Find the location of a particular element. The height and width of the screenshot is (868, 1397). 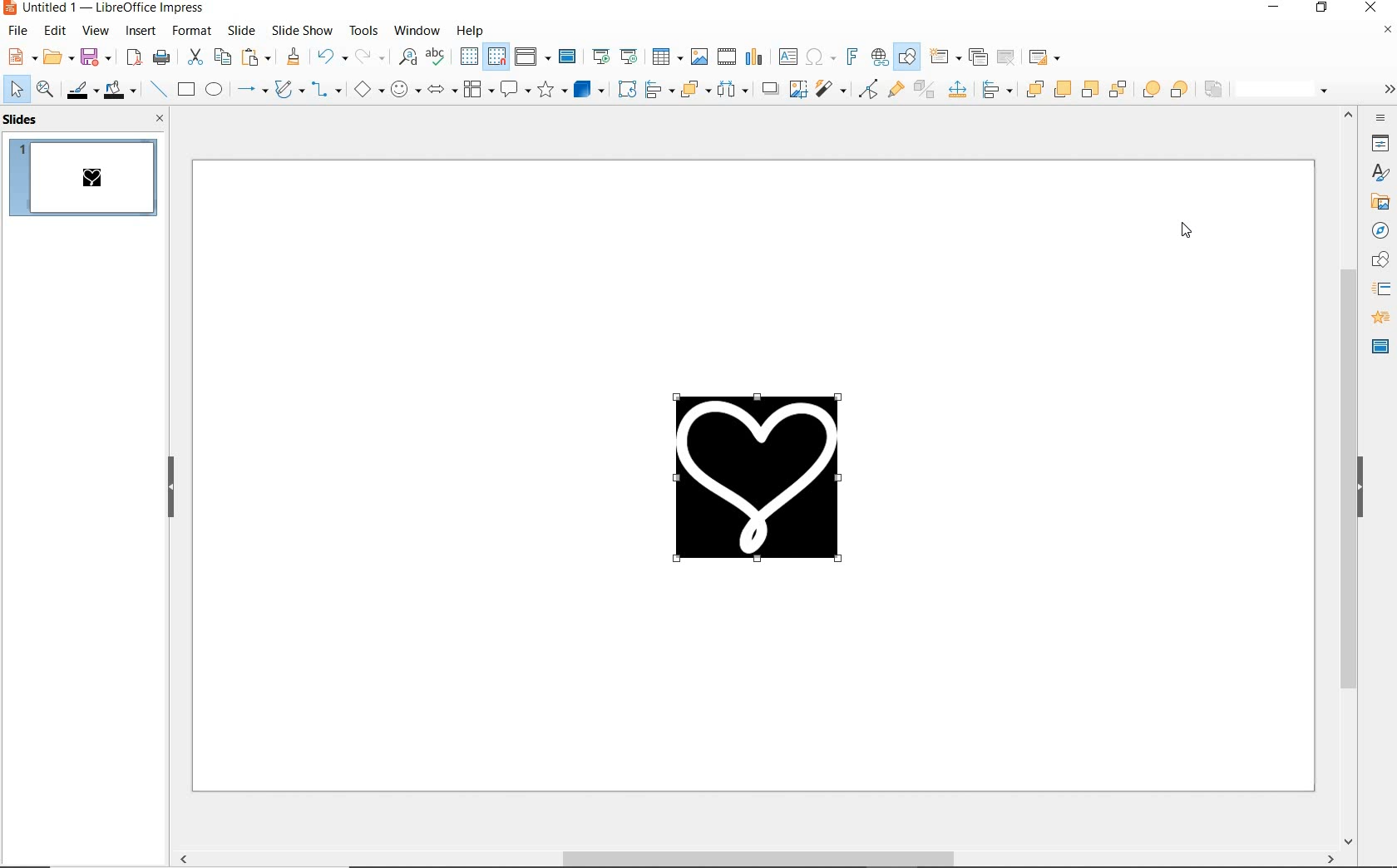

open is located at coordinates (57, 55).